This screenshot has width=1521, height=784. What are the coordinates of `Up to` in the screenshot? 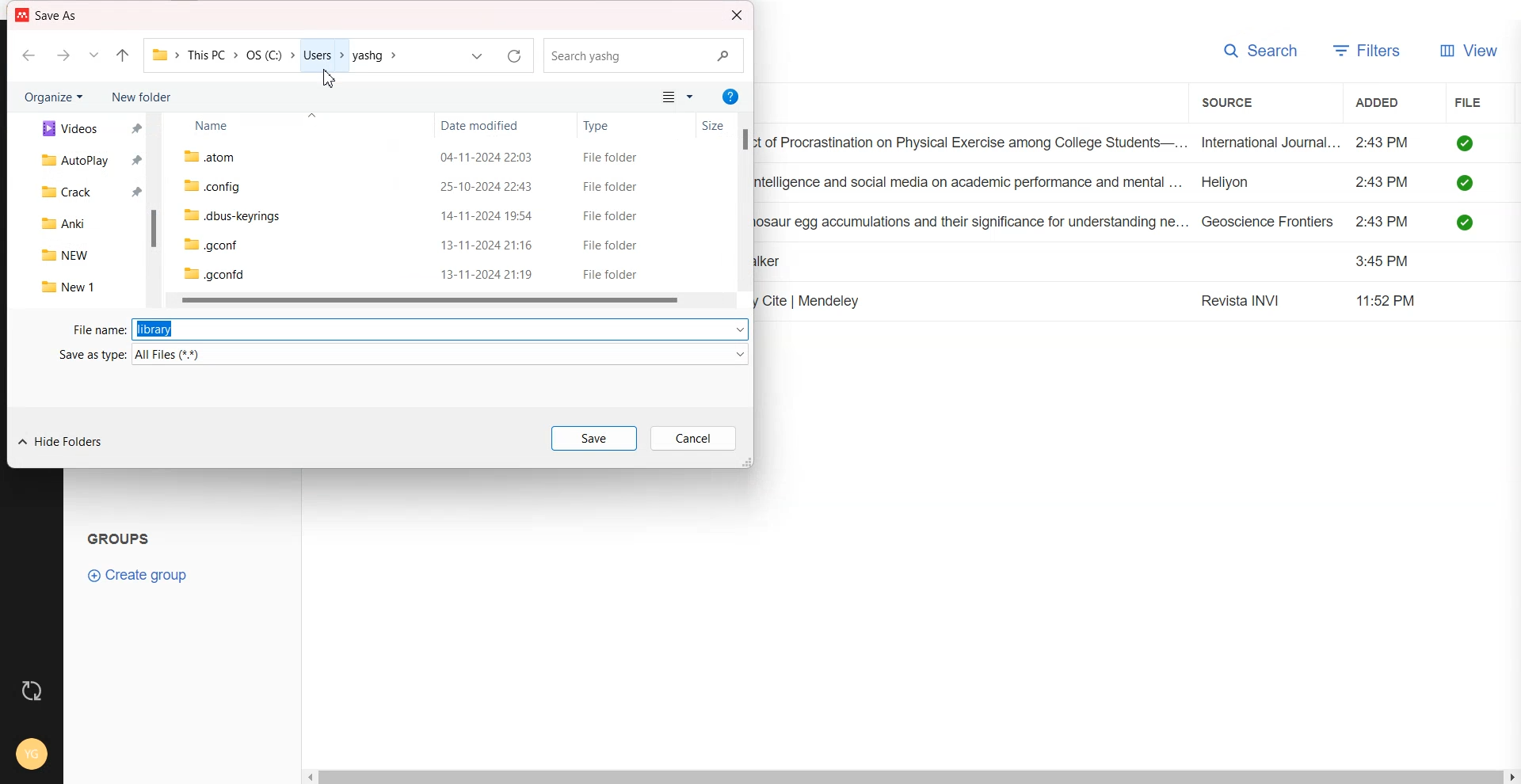 It's located at (123, 56).